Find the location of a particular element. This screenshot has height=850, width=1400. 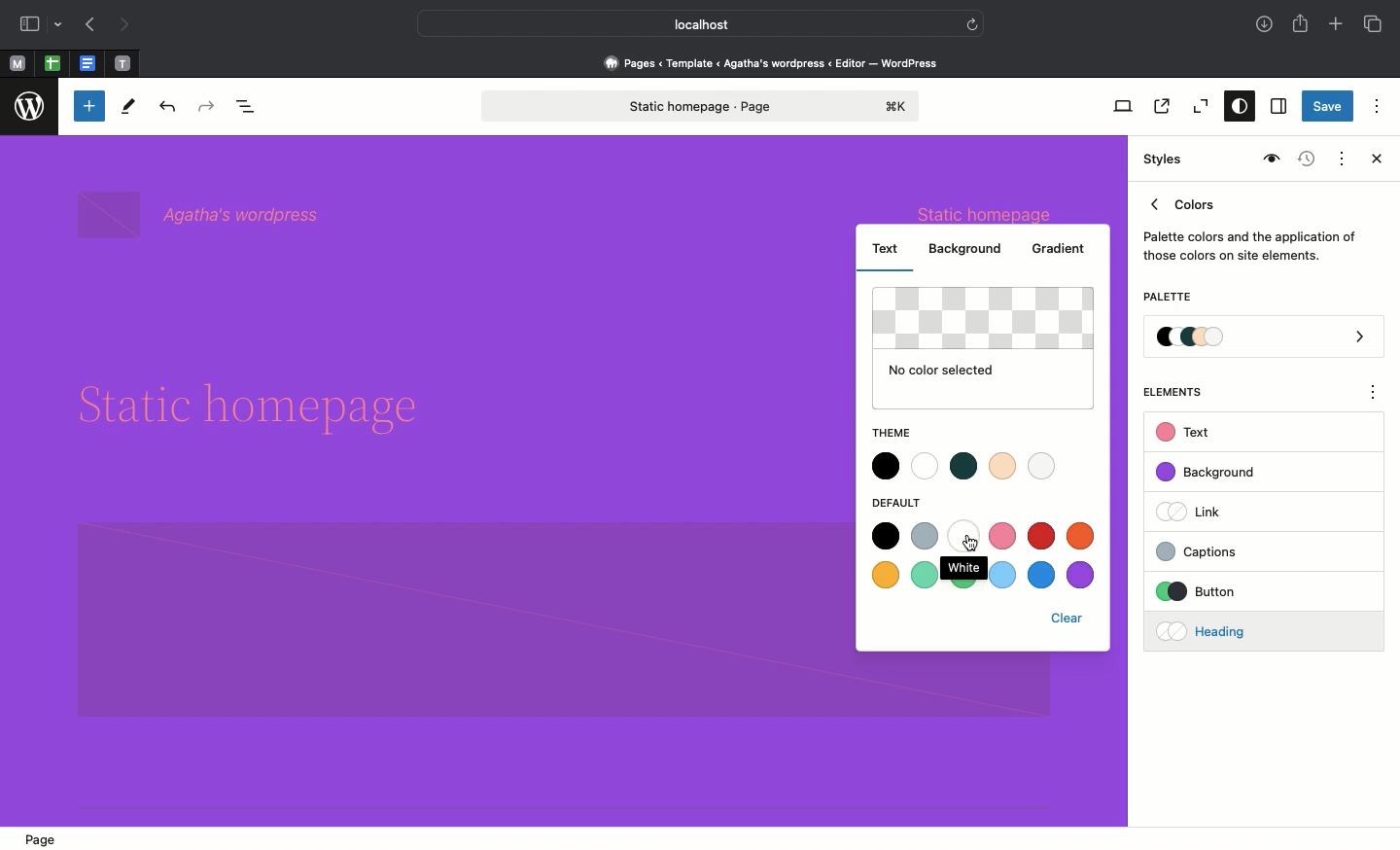

Colors is located at coordinates (1250, 226).